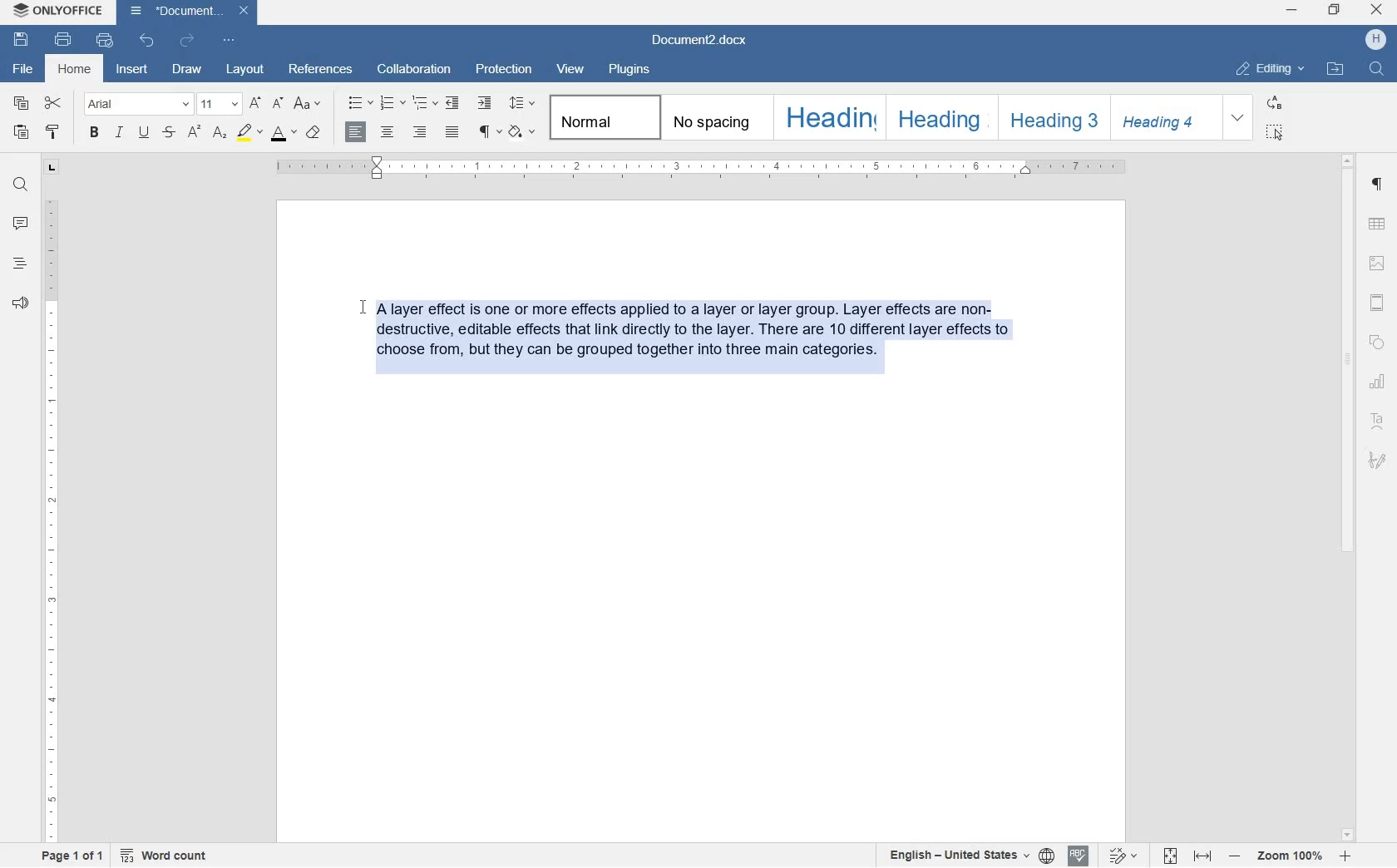 The image size is (1397, 868). What do you see at coordinates (53, 104) in the screenshot?
I see `cut` at bounding box center [53, 104].